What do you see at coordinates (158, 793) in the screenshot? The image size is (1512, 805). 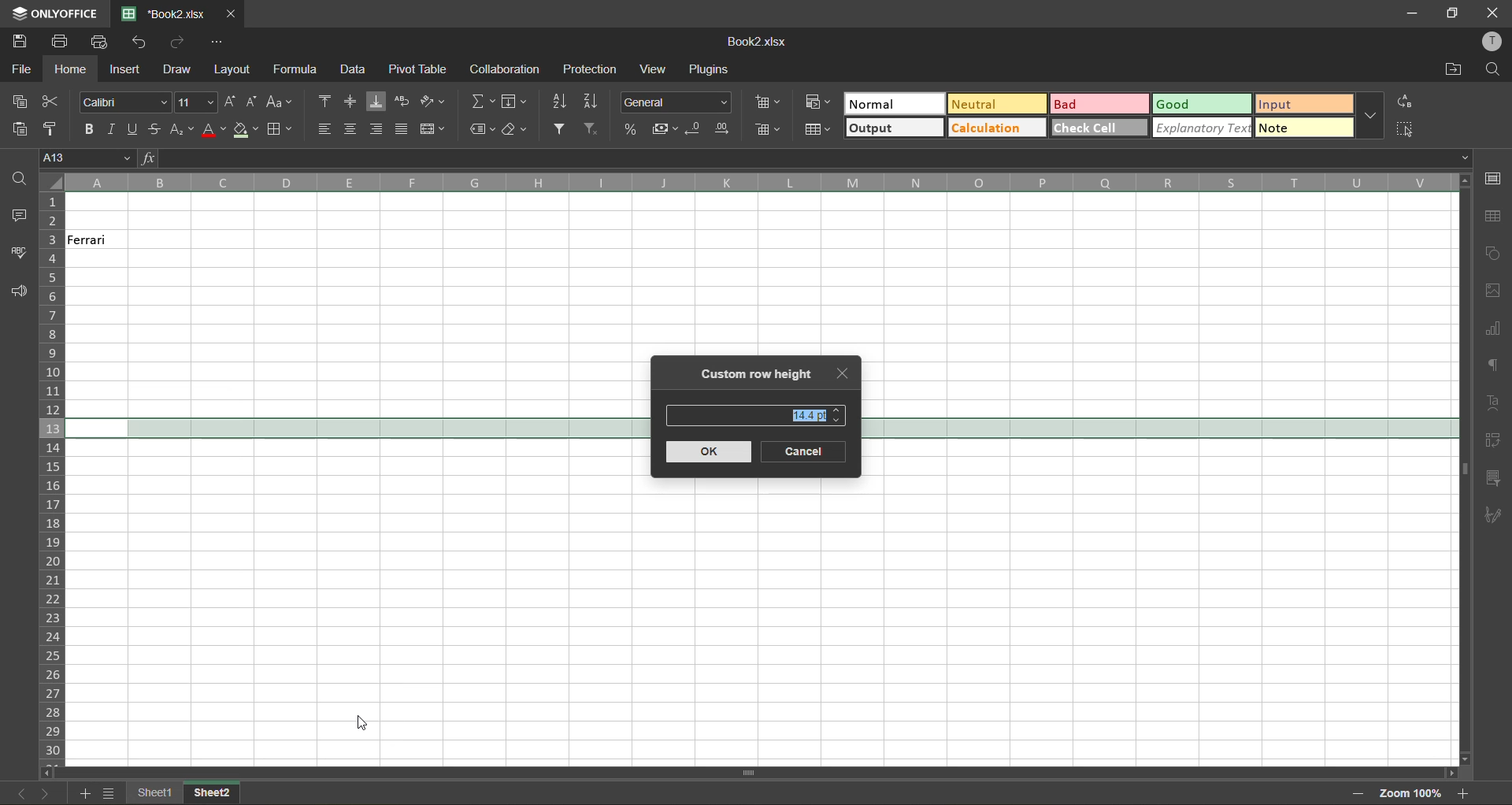 I see `sheet names` at bounding box center [158, 793].